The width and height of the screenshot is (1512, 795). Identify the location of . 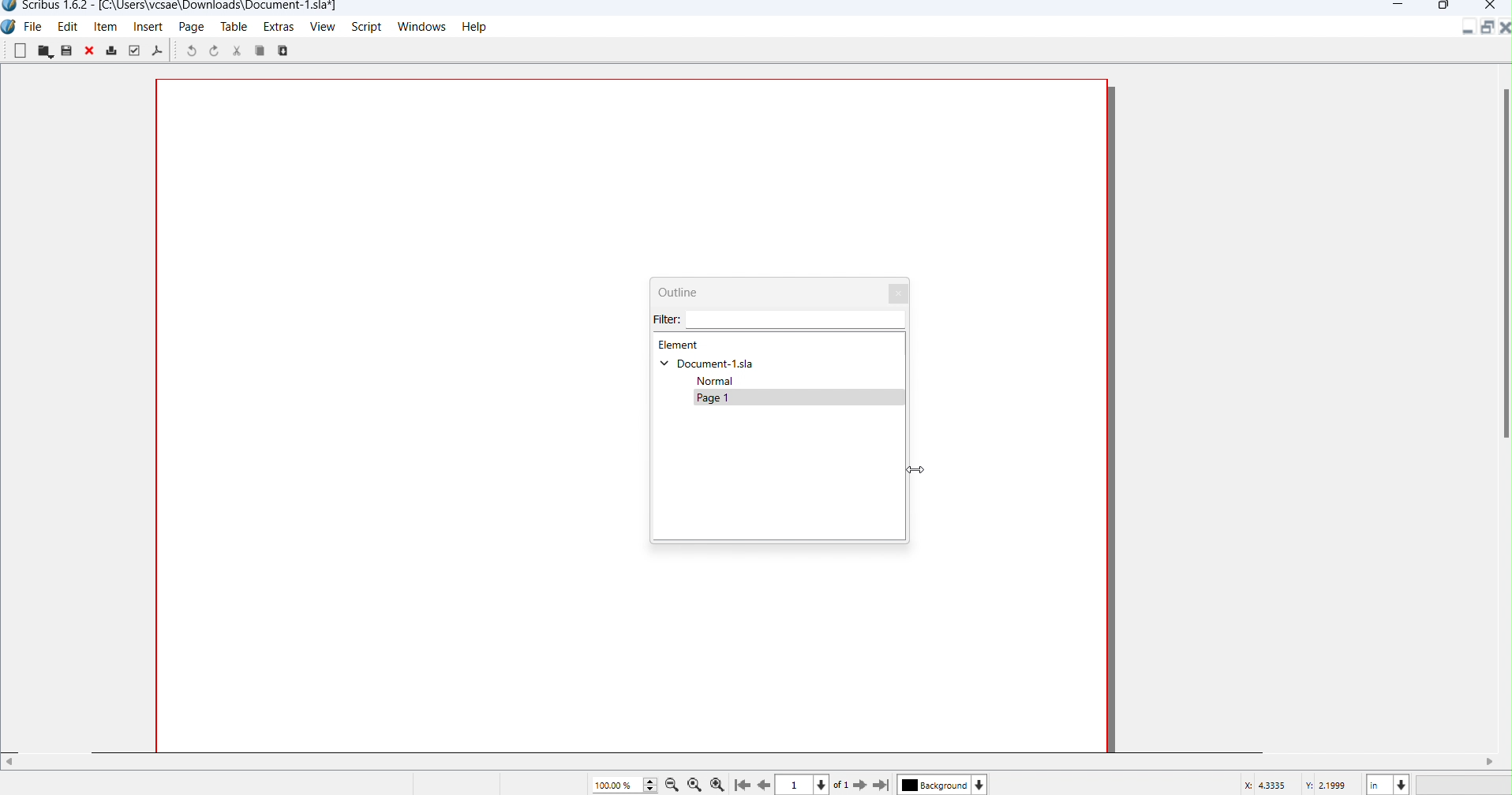
(233, 28).